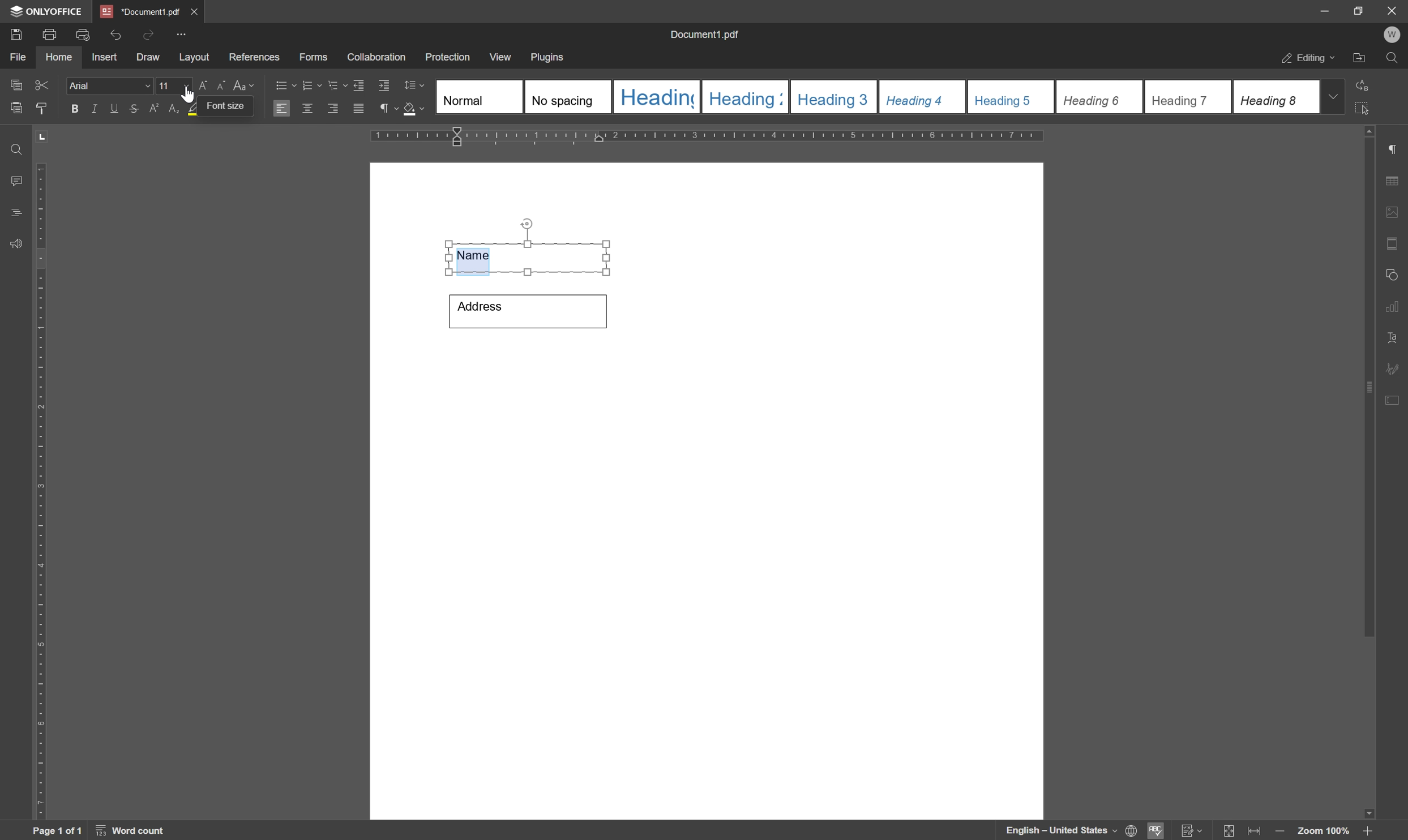 This screenshot has height=840, width=1408. Describe the element at coordinates (876, 96) in the screenshot. I see `Type of headings` at that location.